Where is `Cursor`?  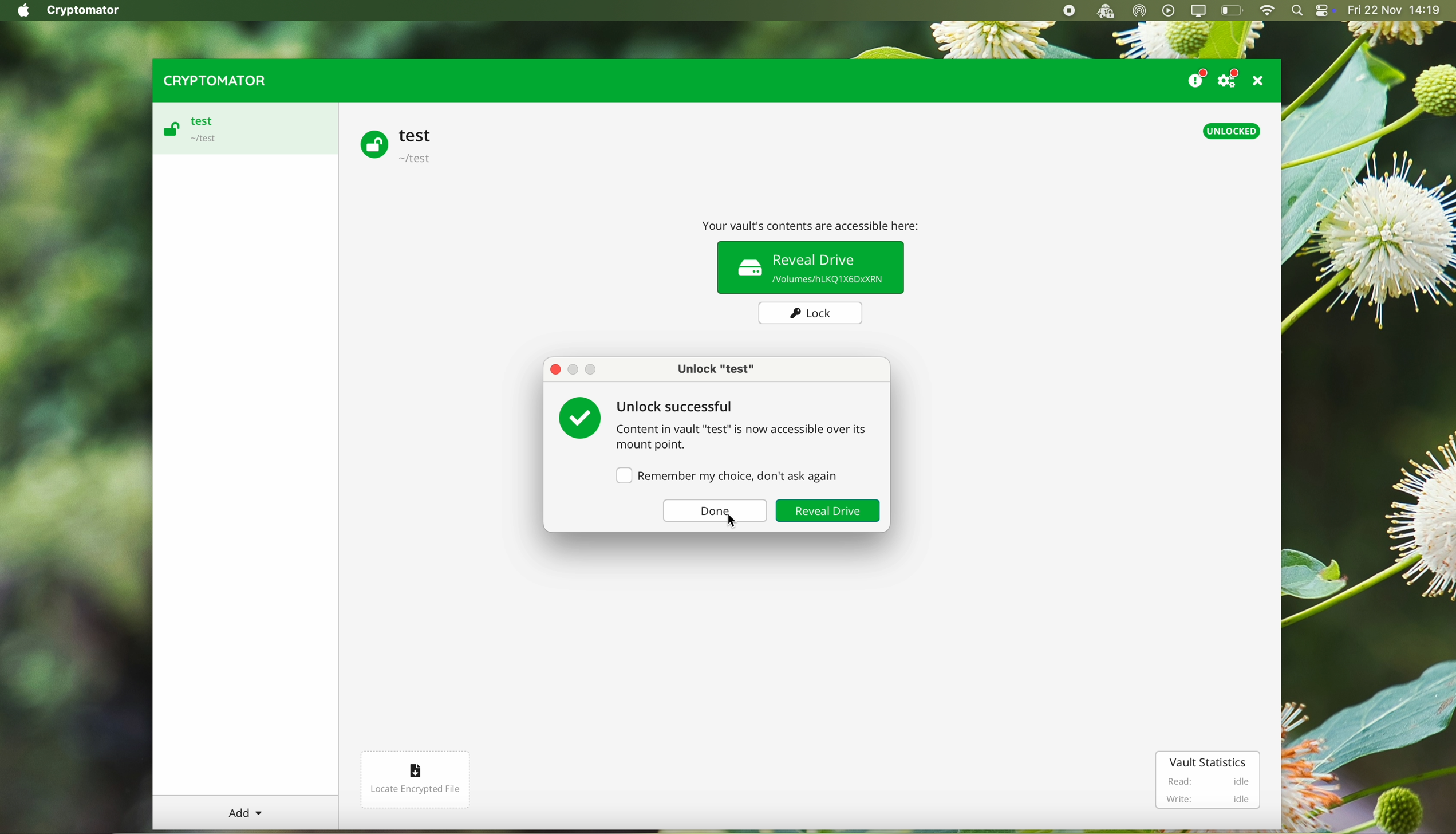
Cursor is located at coordinates (733, 520).